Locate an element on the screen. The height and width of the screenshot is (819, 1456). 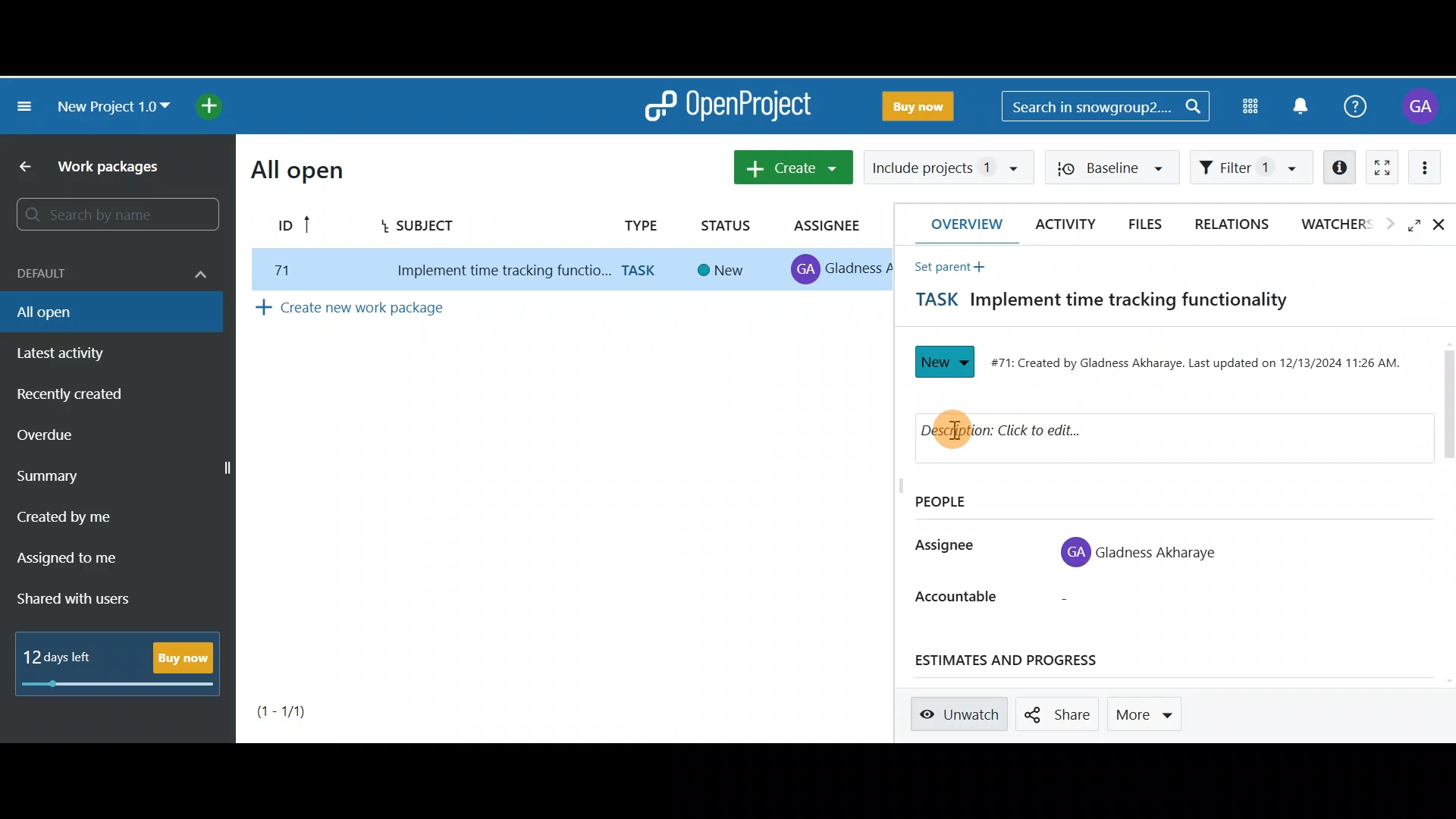
Latest activity is located at coordinates (74, 352).